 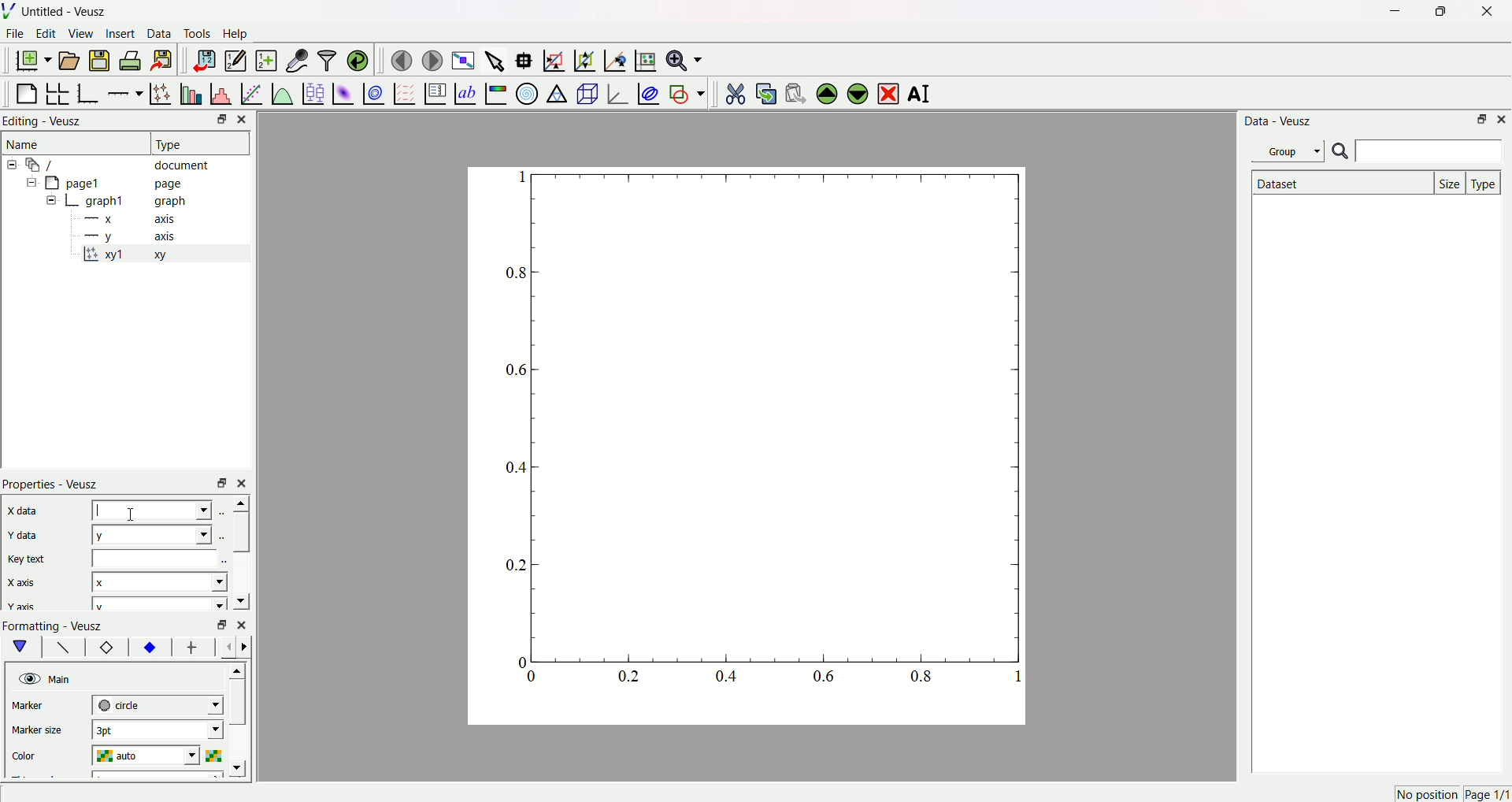 I want to click on polar graphs, so click(x=527, y=91).